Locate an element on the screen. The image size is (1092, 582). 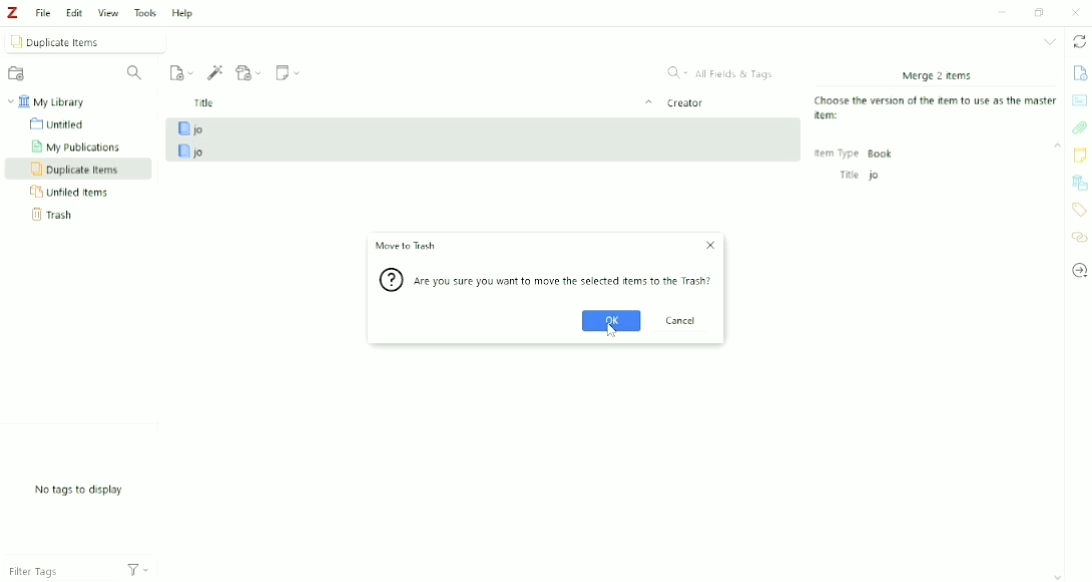
Merge 2 items is located at coordinates (936, 75).